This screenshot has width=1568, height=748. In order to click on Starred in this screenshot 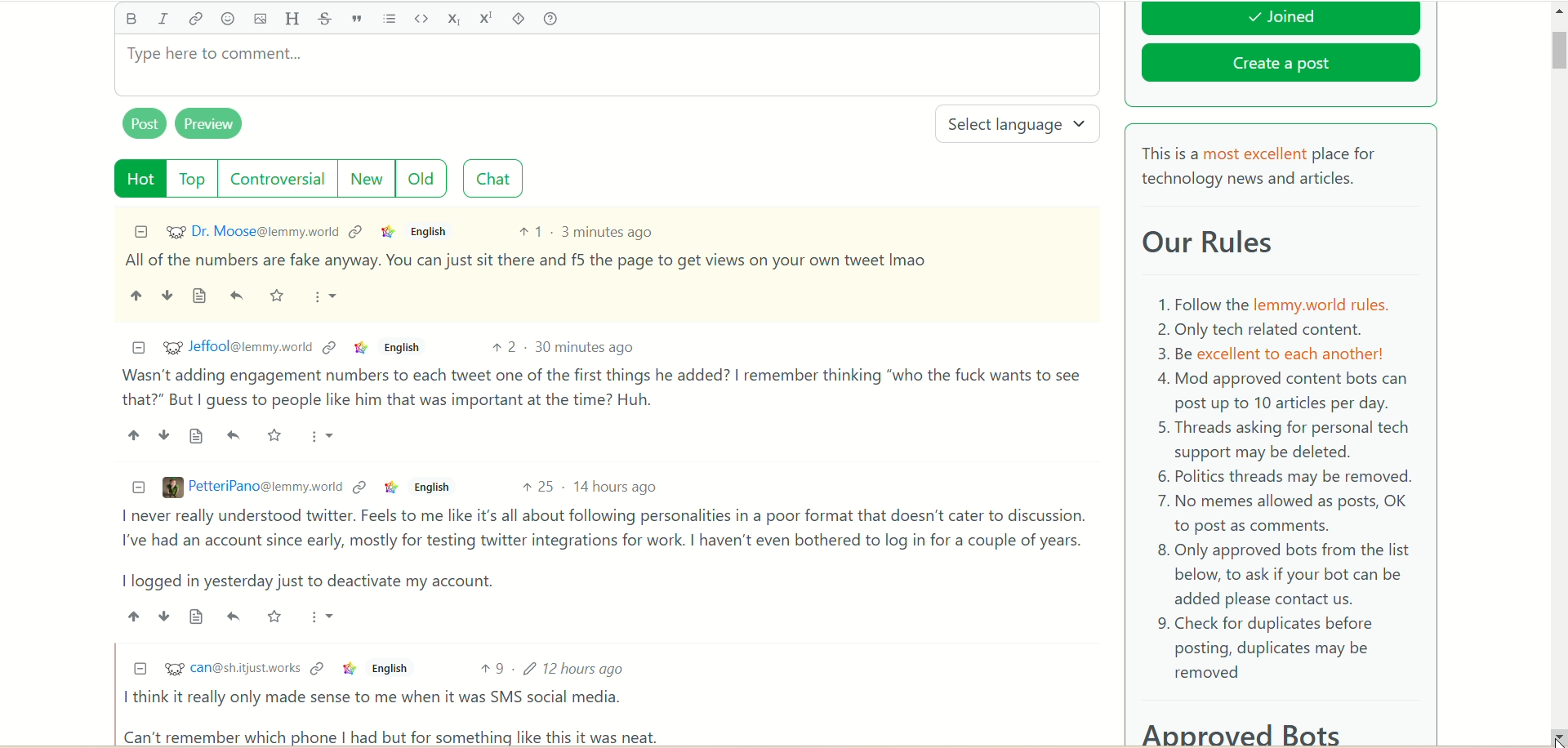, I will do `click(276, 616)`.